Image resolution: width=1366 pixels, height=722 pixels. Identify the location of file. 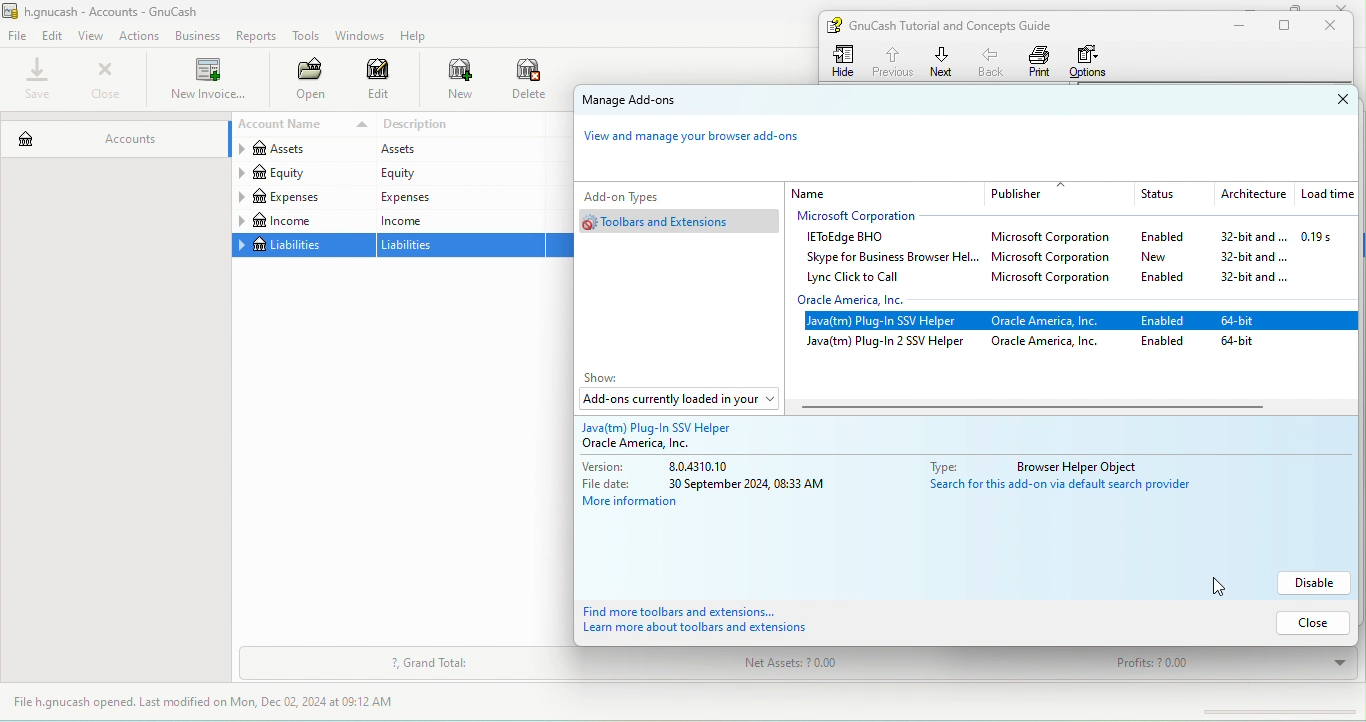
(18, 37).